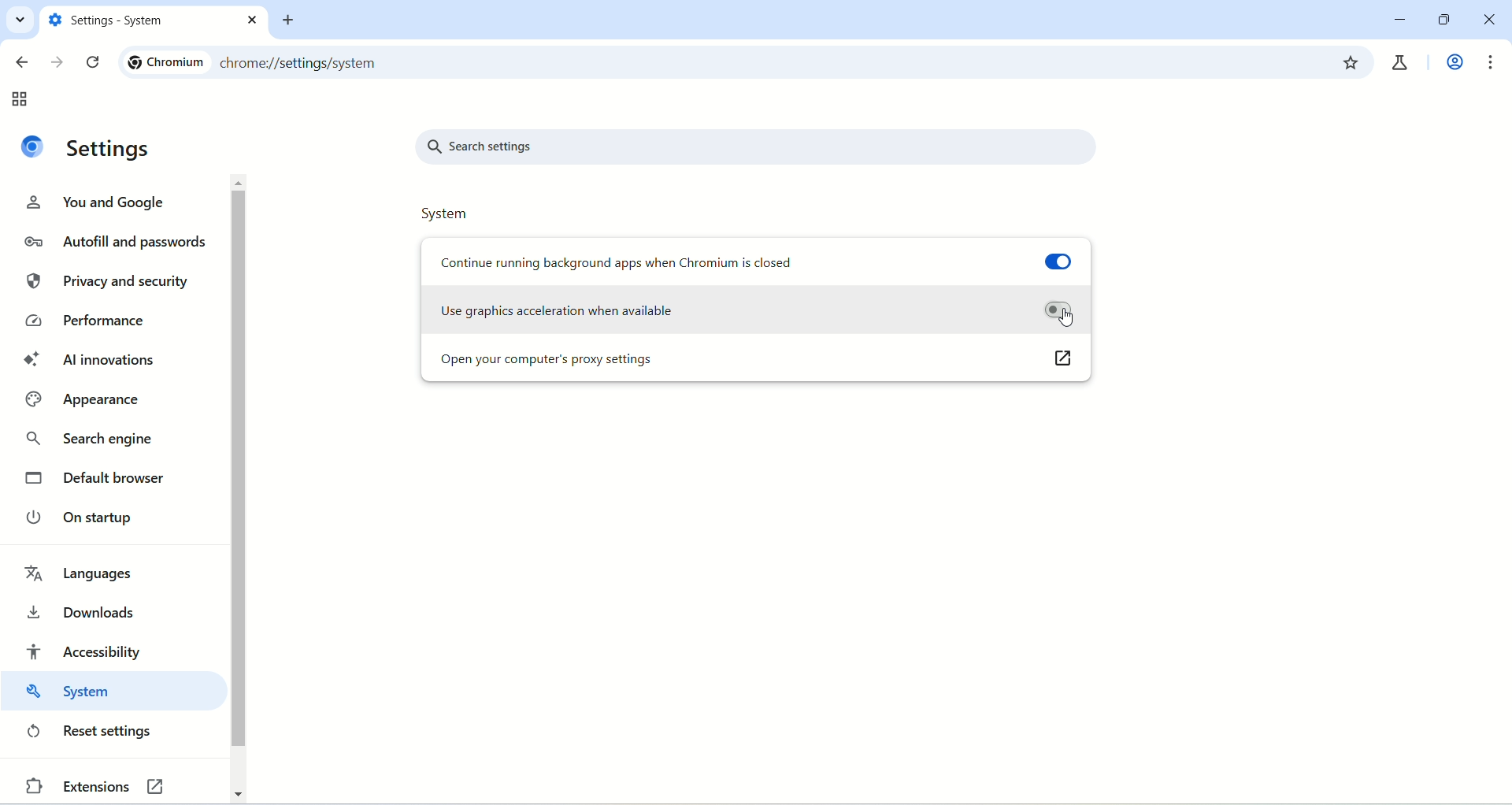 This screenshot has width=1512, height=805. I want to click on performance, so click(83, 322).